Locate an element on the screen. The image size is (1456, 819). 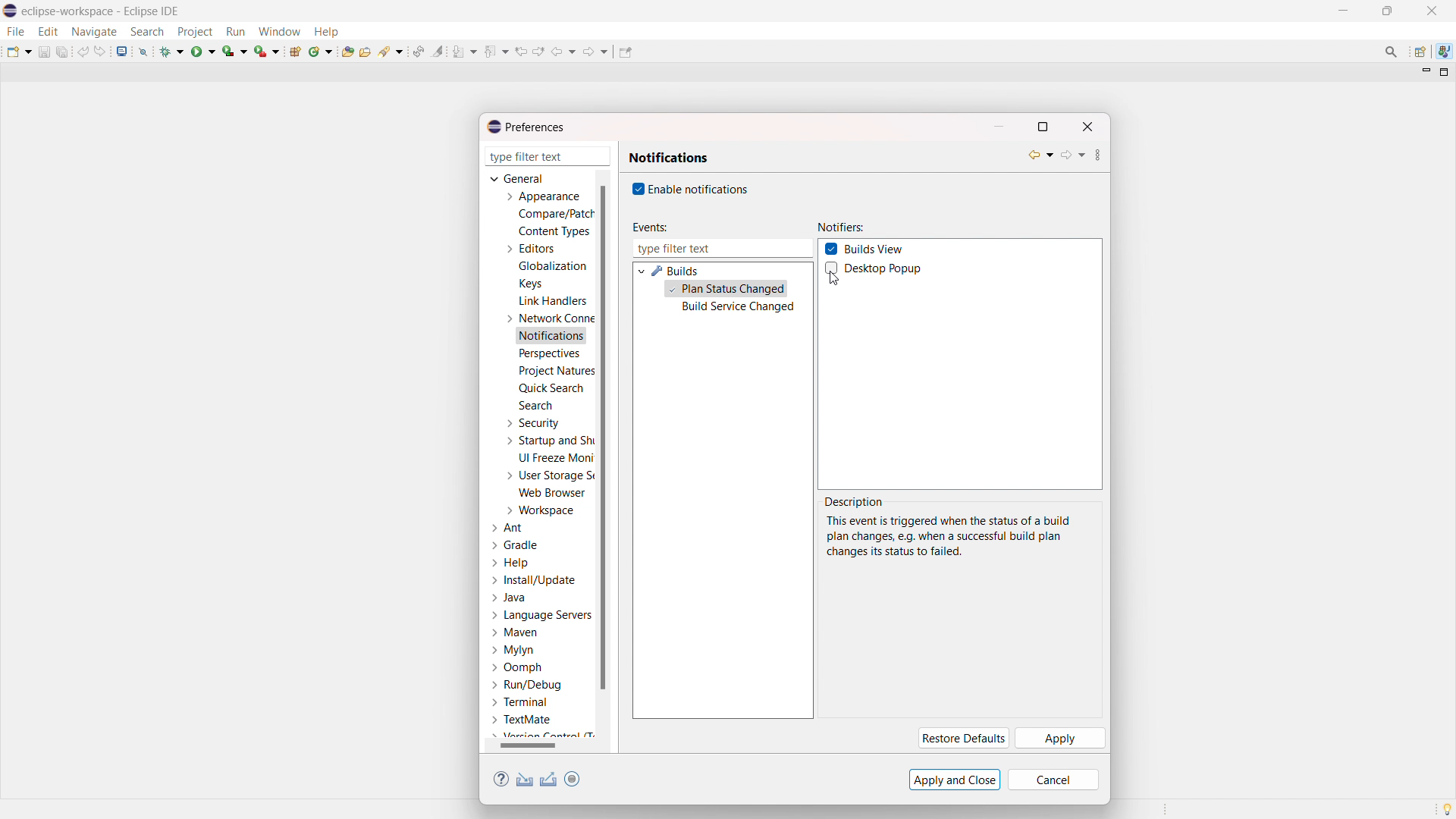
view previous location is located at coordinates (521, 51).